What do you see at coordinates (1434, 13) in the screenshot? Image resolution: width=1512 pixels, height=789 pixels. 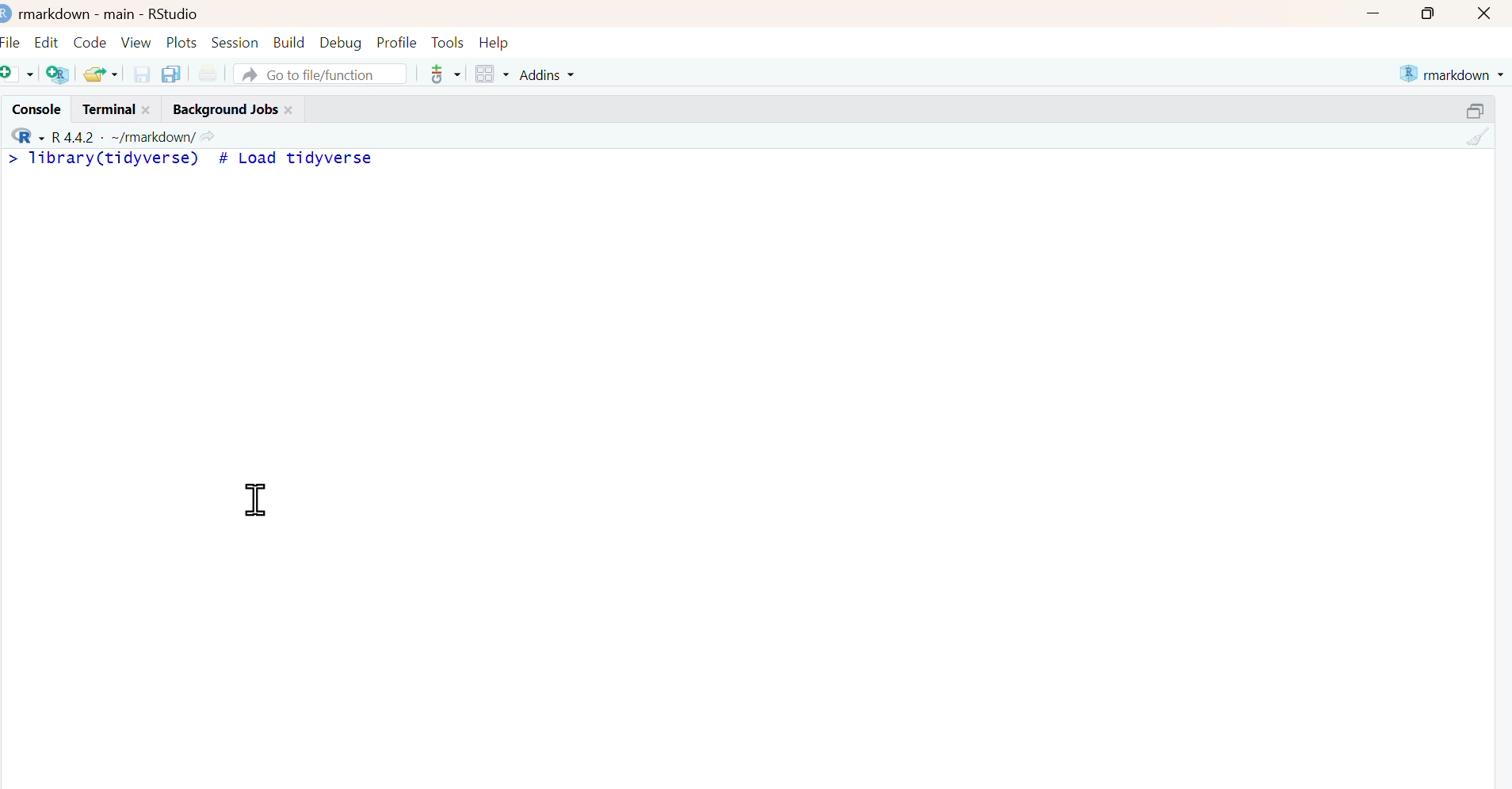 I see `maximize` at bounding box center [1434, 13].